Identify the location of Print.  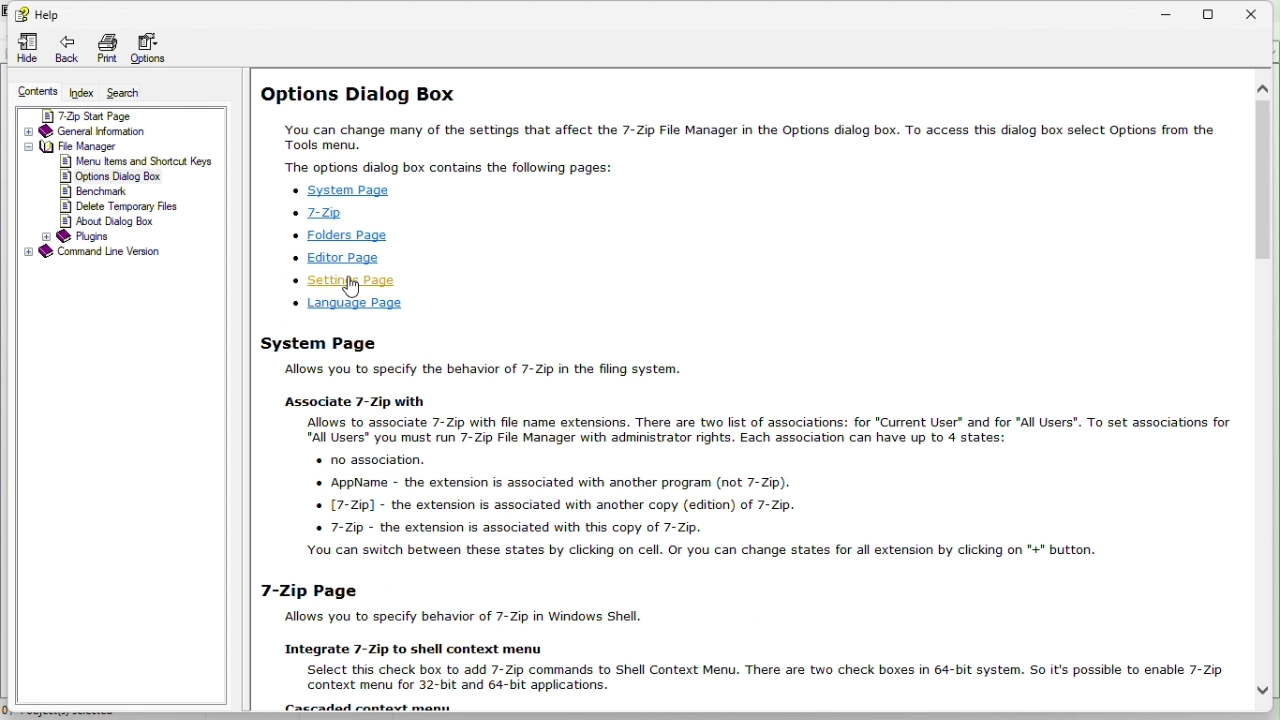
(107, 48).